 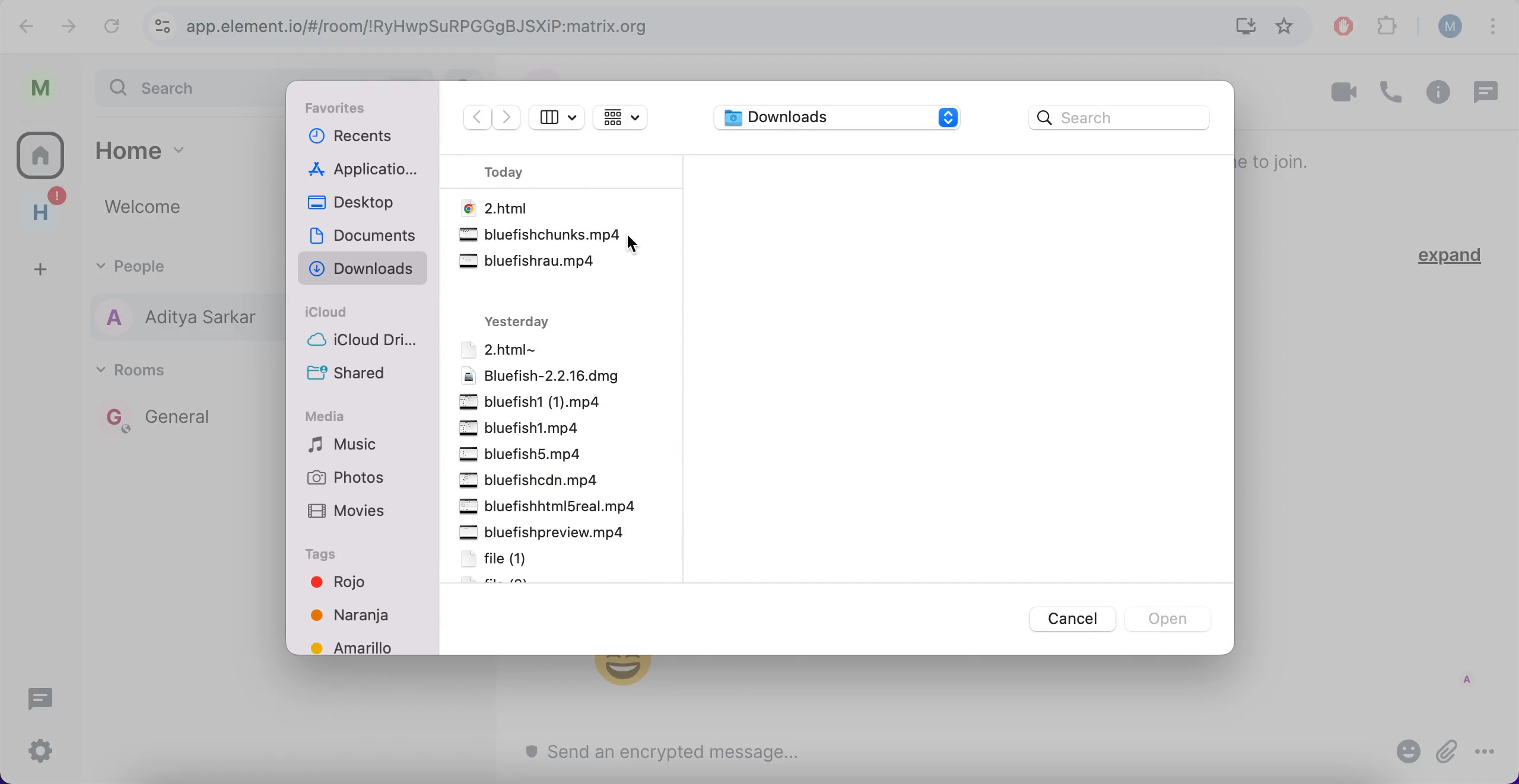 What do you see at coordinates (161, 26) in the screenshot?
I see `view site information` at bounding box center [161, 26].